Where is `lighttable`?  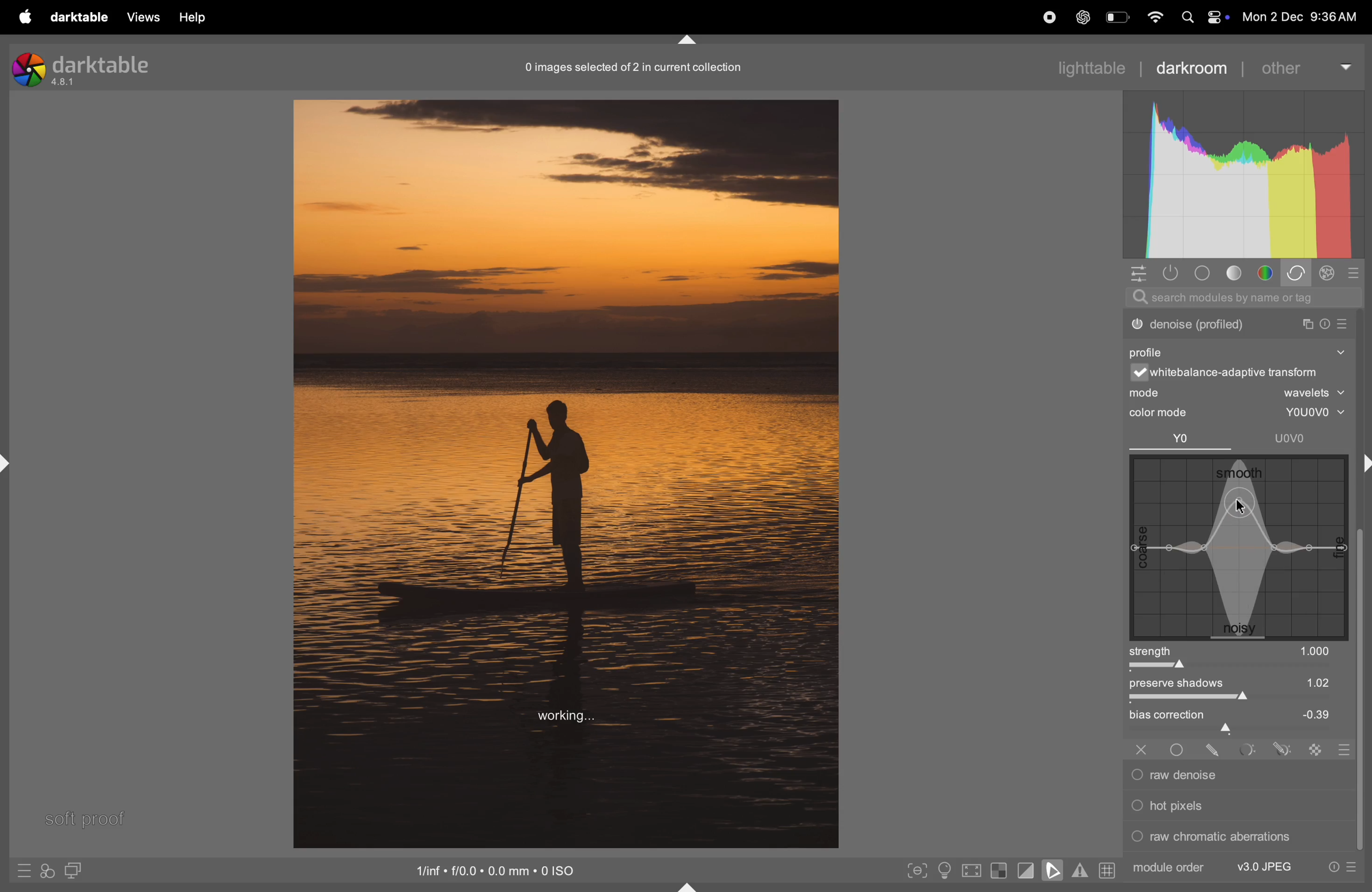
lighttable is located at coordinates (1091, 67).